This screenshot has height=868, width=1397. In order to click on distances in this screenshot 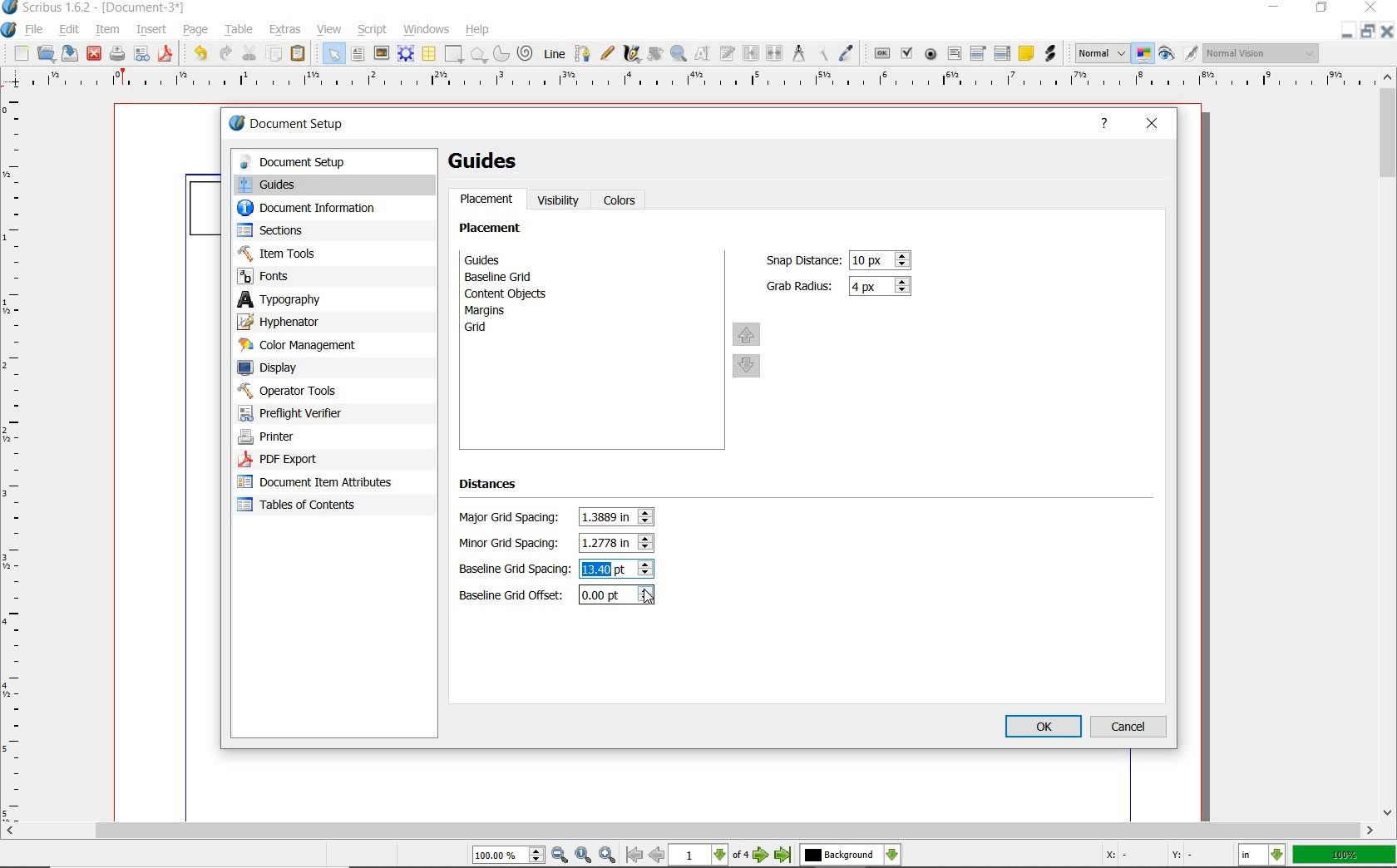, I will do `click(496, 487)`.